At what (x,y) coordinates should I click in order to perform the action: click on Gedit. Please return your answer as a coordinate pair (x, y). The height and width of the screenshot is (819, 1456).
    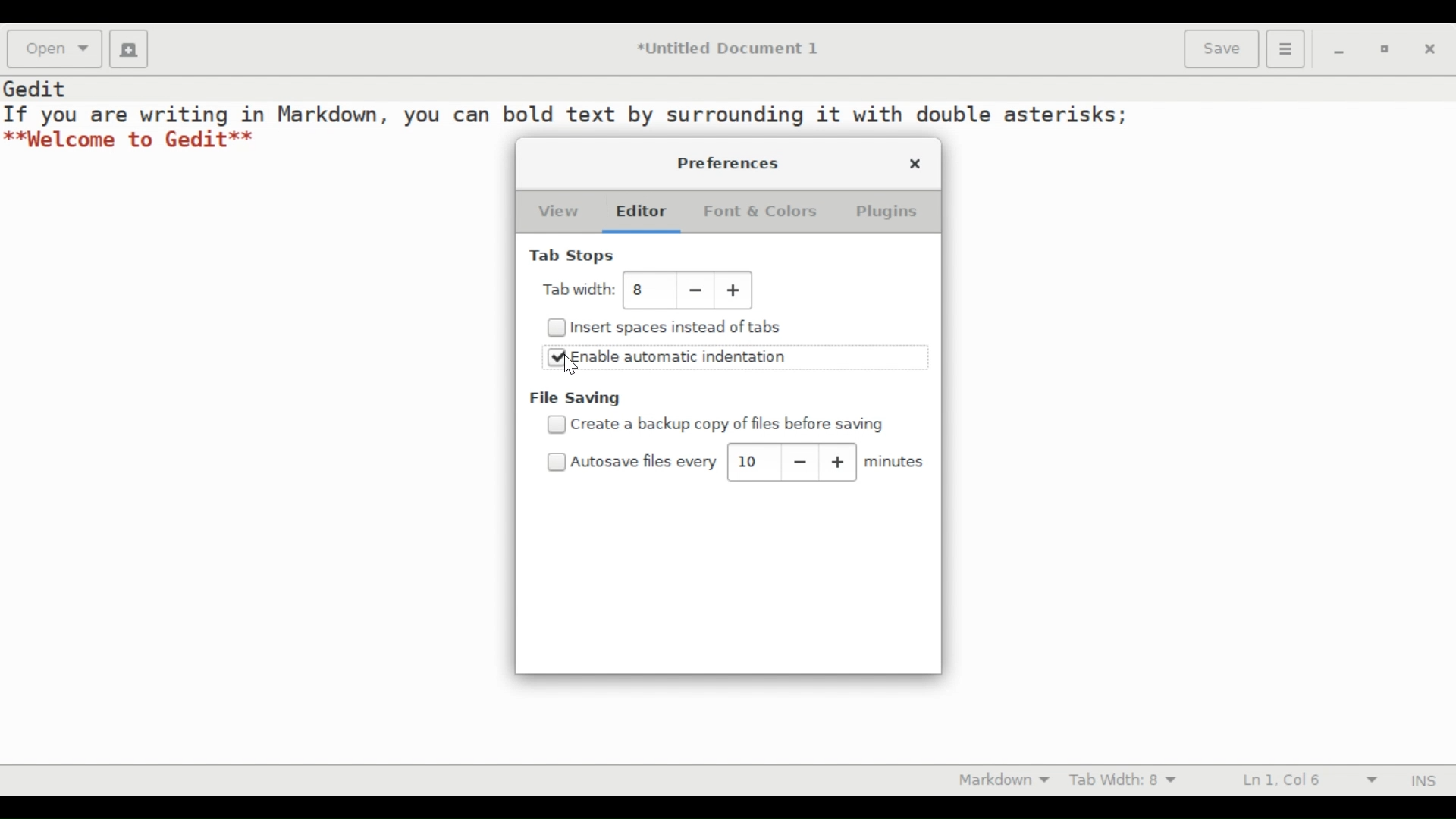
    Looking at the image, I should click on (36, 86).